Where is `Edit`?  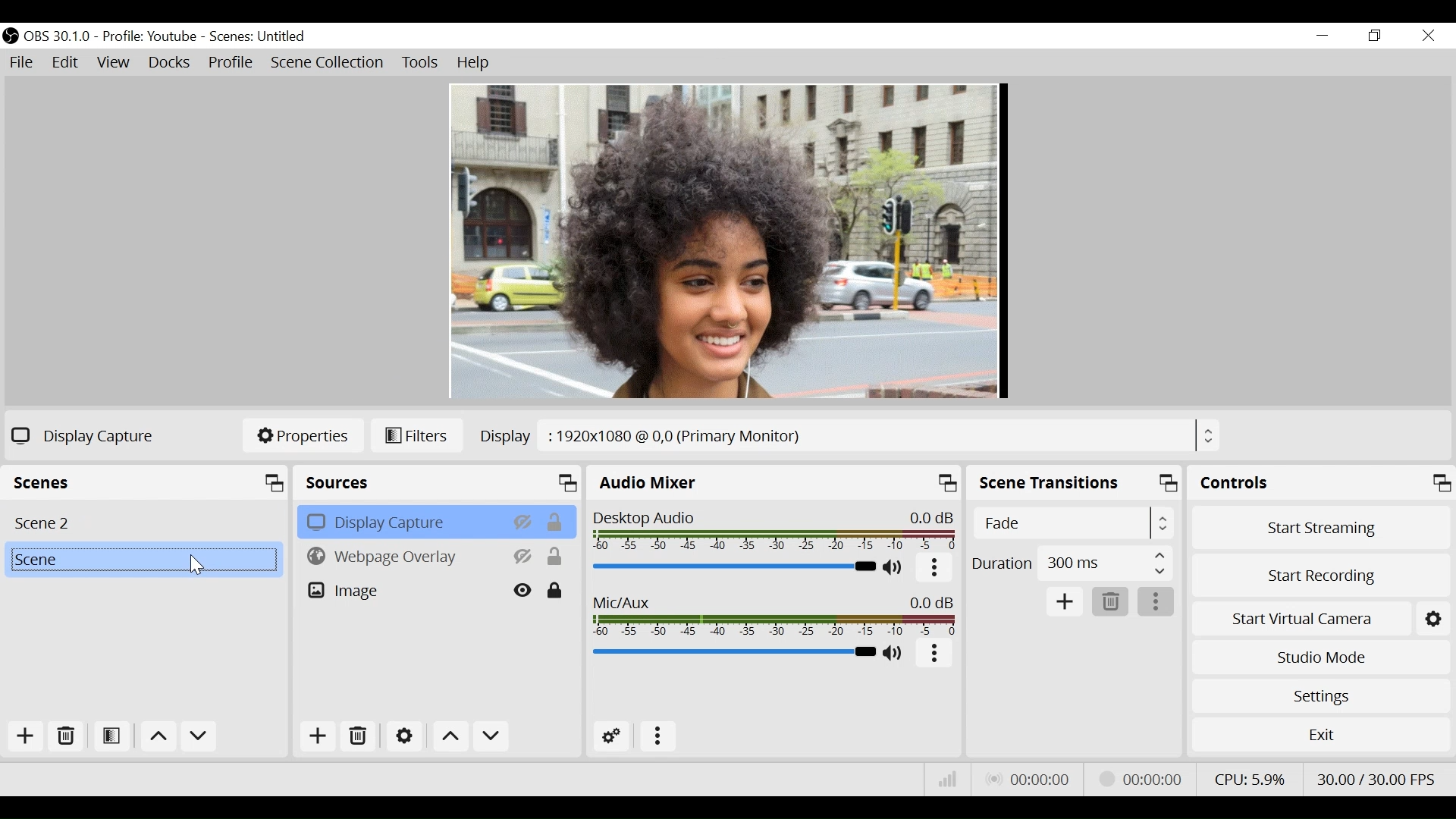
Edit is located at coordinates (64, 63).